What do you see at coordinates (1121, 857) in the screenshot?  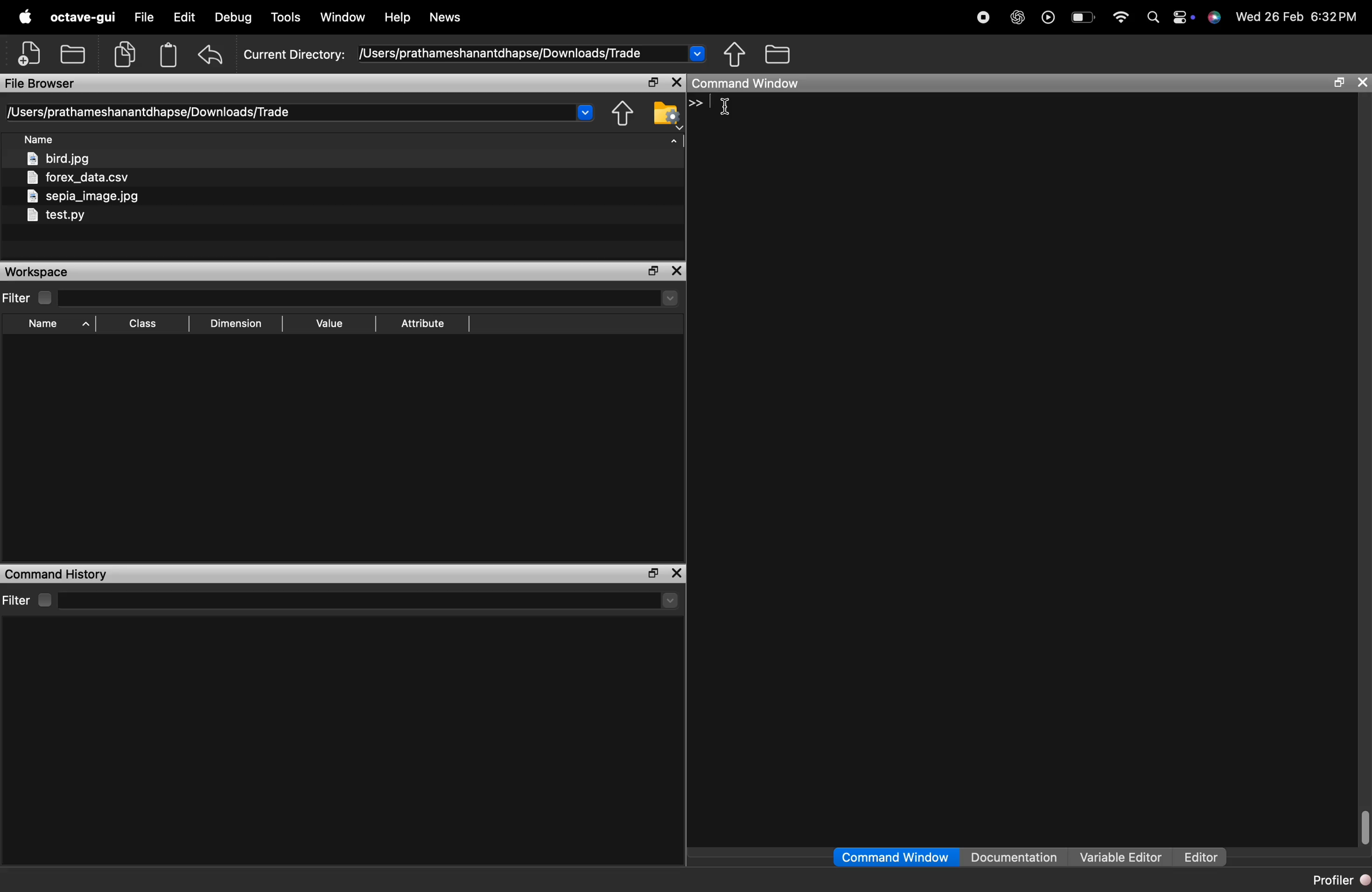 I see `variable editor` at bounding box center [1121, 857].